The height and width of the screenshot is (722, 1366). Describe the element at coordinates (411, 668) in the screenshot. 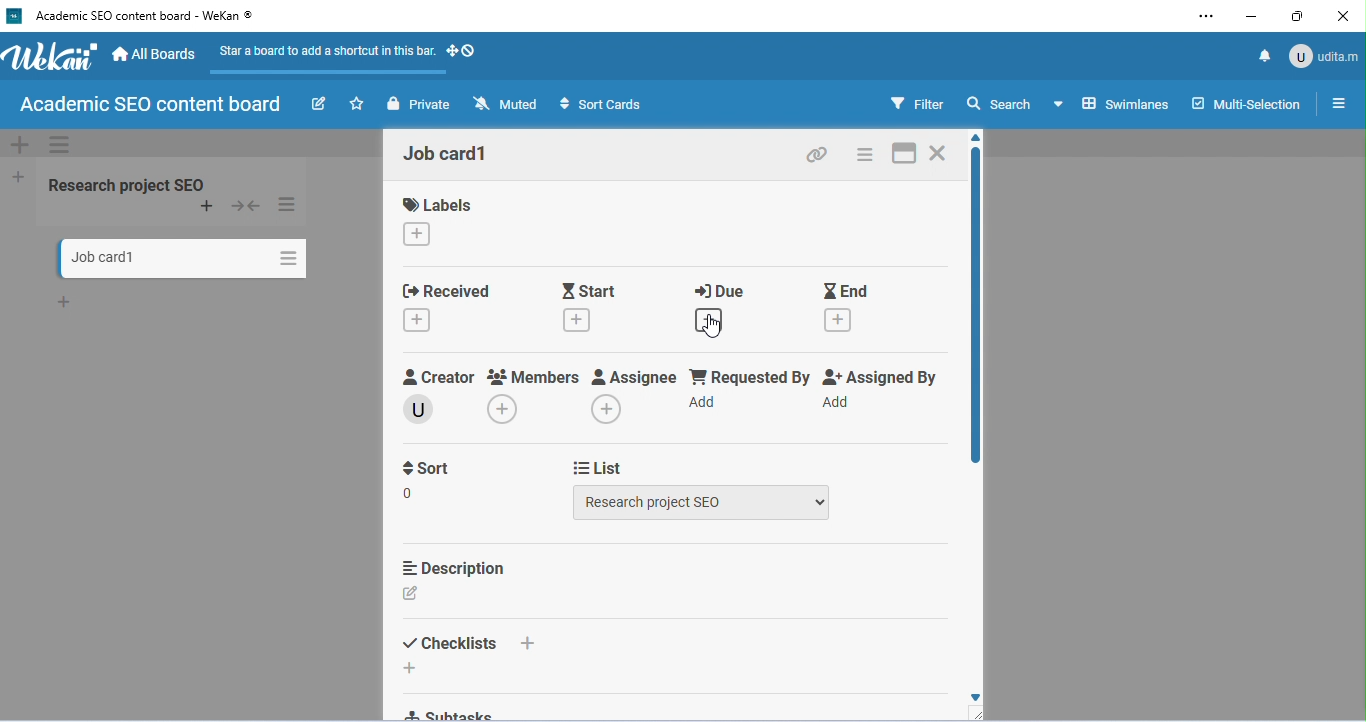

I see `add checklist to bottom` at that location.